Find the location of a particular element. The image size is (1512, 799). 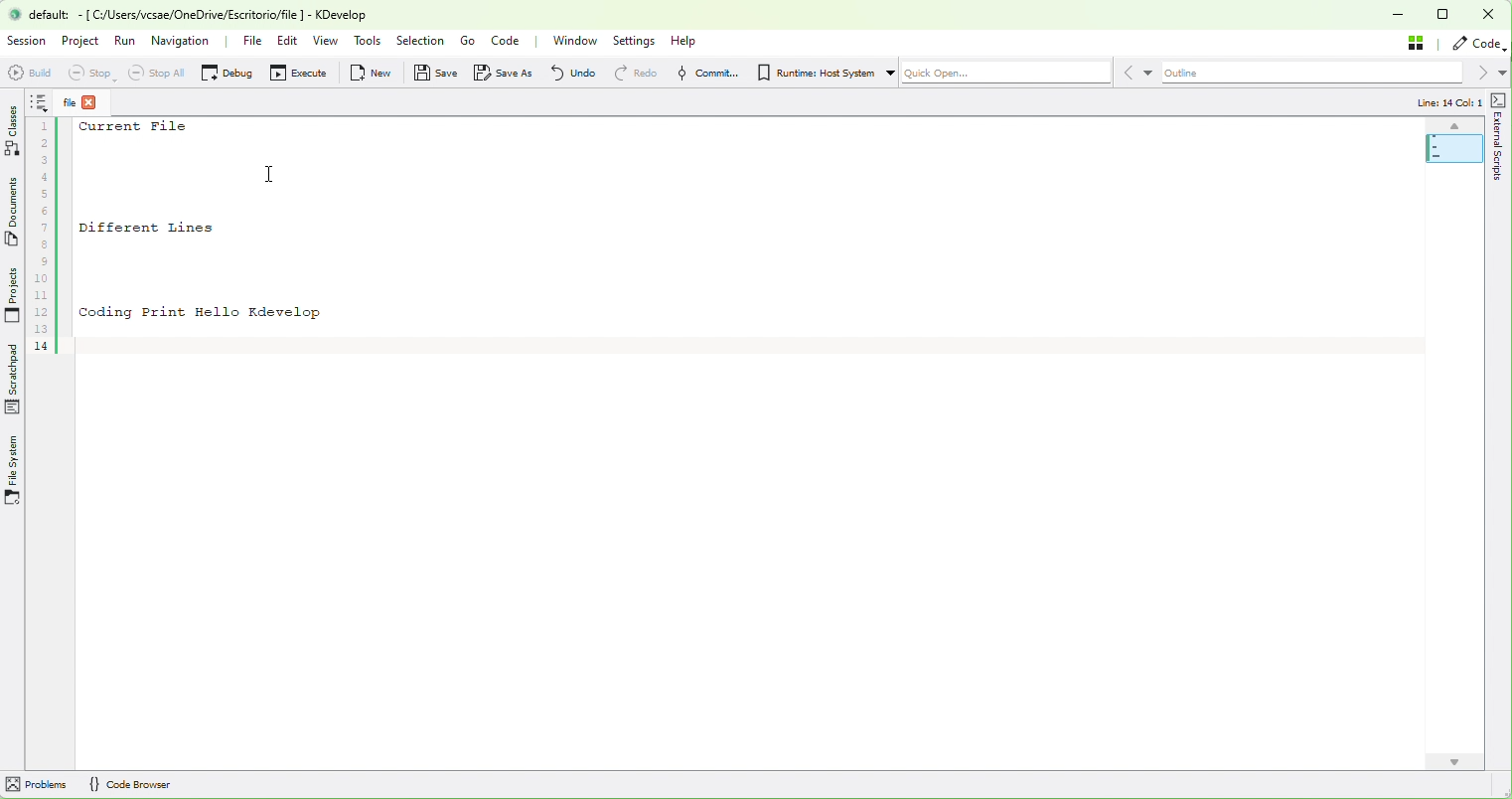

redo is located at coordinates (632, 75).